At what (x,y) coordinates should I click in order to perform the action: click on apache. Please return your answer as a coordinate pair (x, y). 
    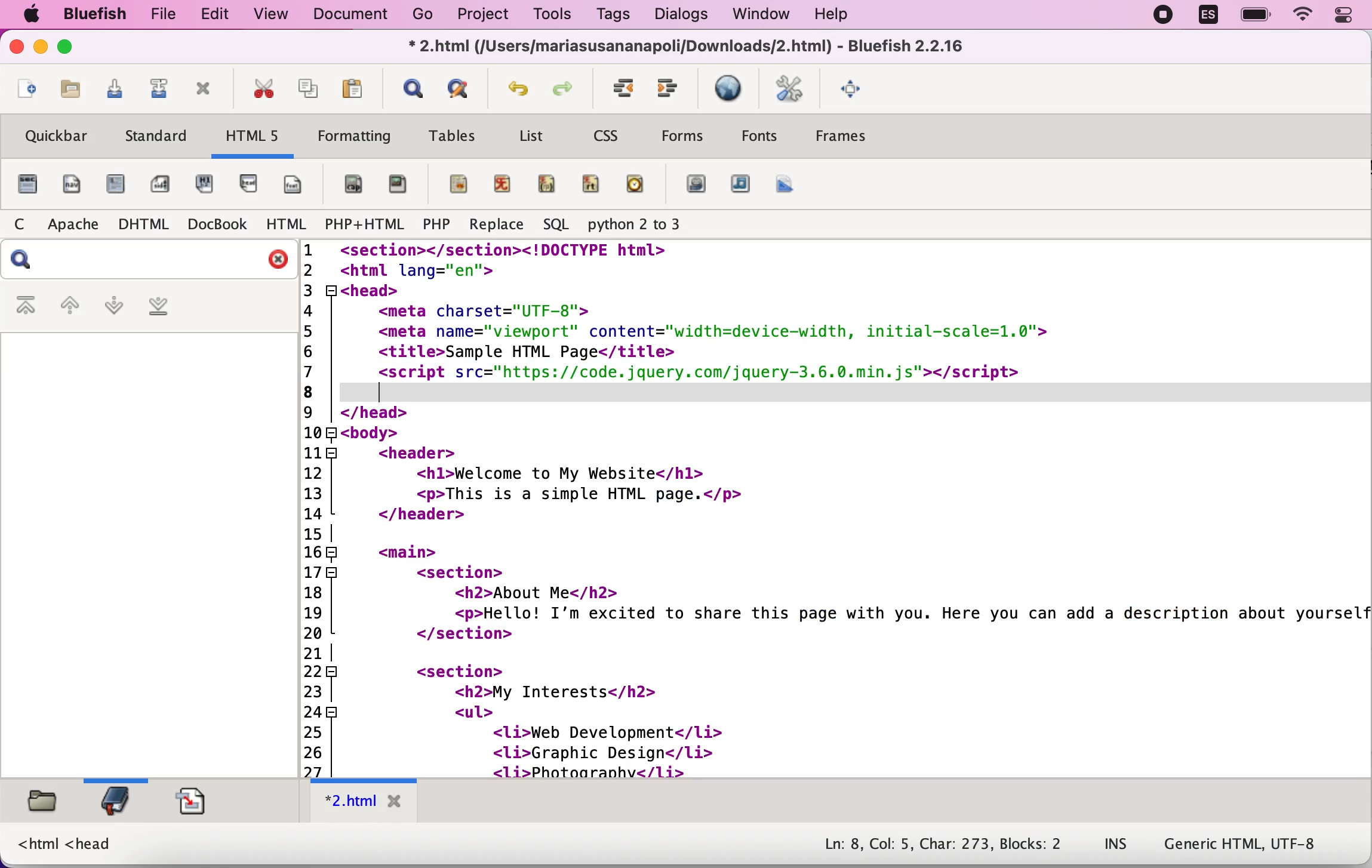
    Looking at the image, I should click on (76, 223).